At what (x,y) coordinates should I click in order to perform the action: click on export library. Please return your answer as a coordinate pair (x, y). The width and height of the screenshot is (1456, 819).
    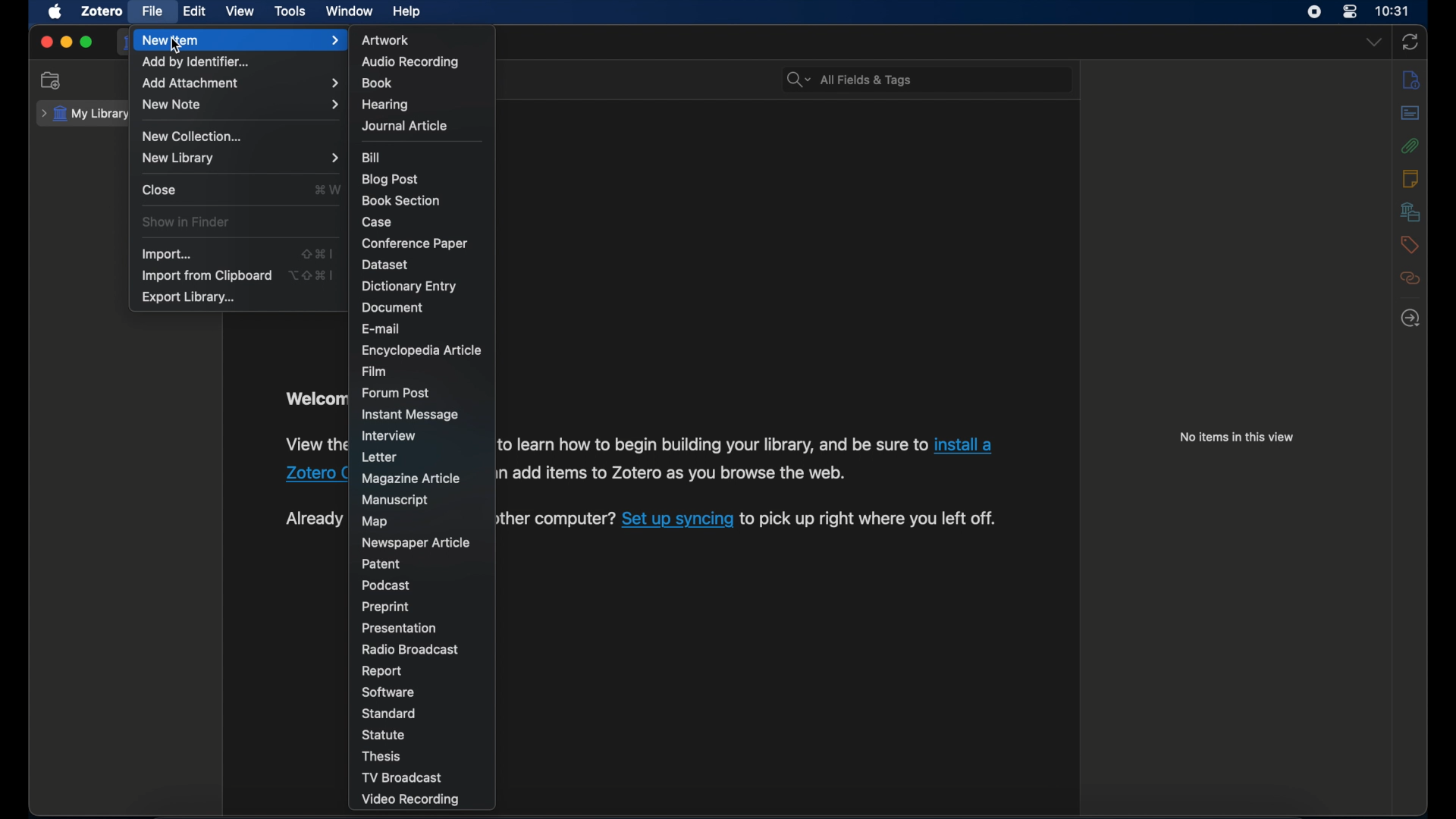
    Looking at the image, I should click on (190, 297).